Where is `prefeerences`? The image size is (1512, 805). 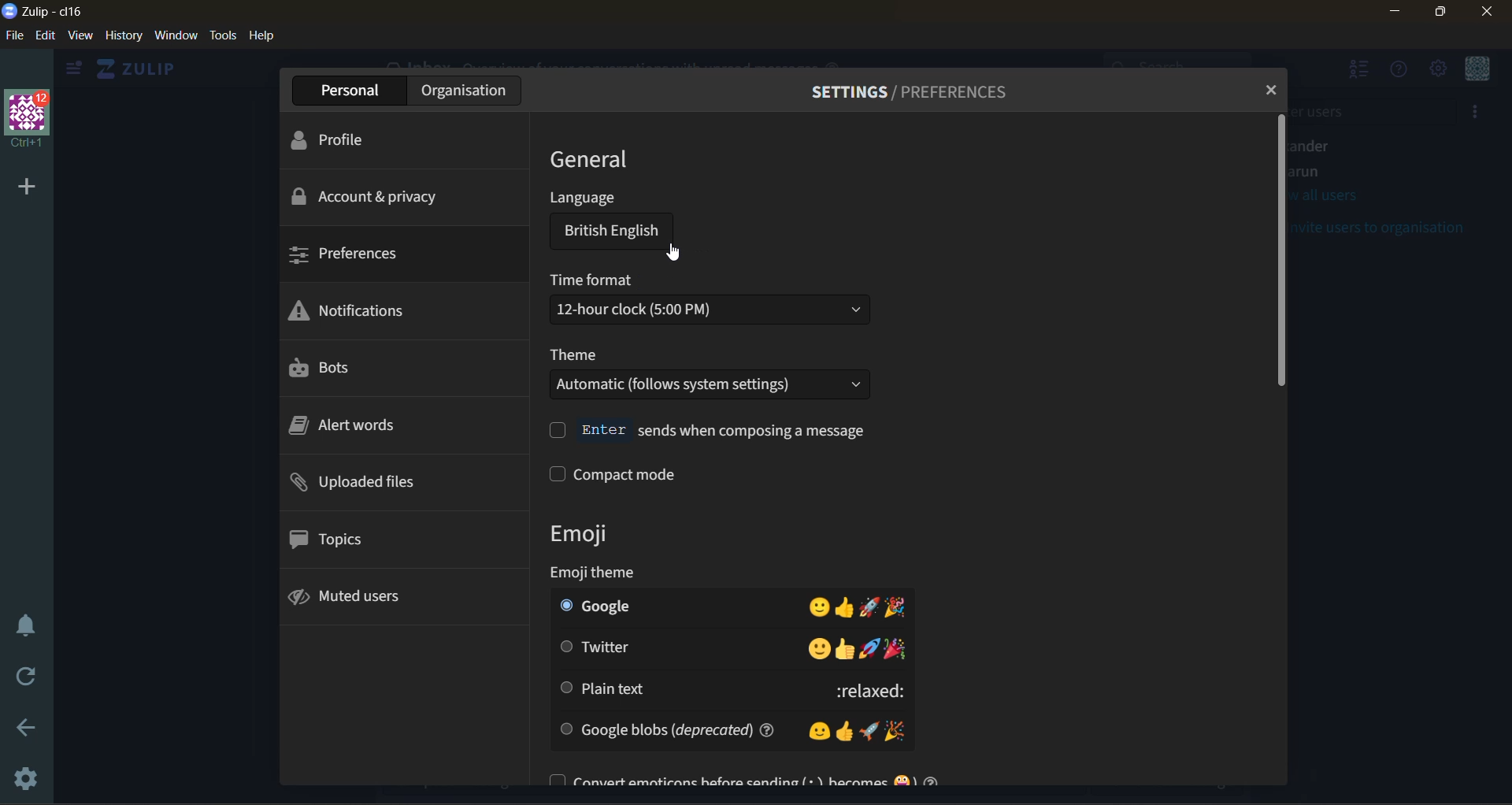
prefeerences is located at coordinates (354, 258).